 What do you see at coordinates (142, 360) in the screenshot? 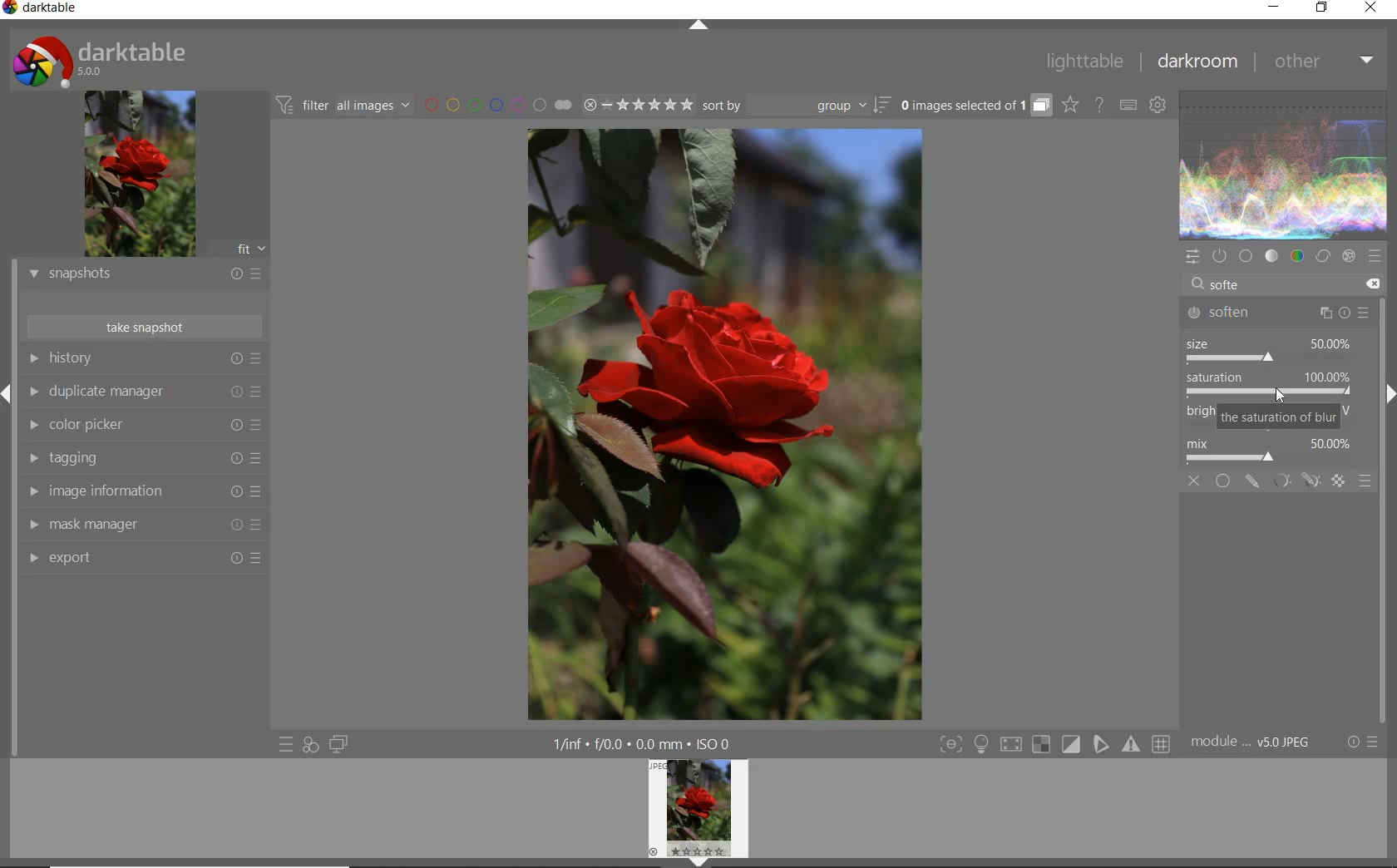
I see `history` at bounding box center [142, 360].